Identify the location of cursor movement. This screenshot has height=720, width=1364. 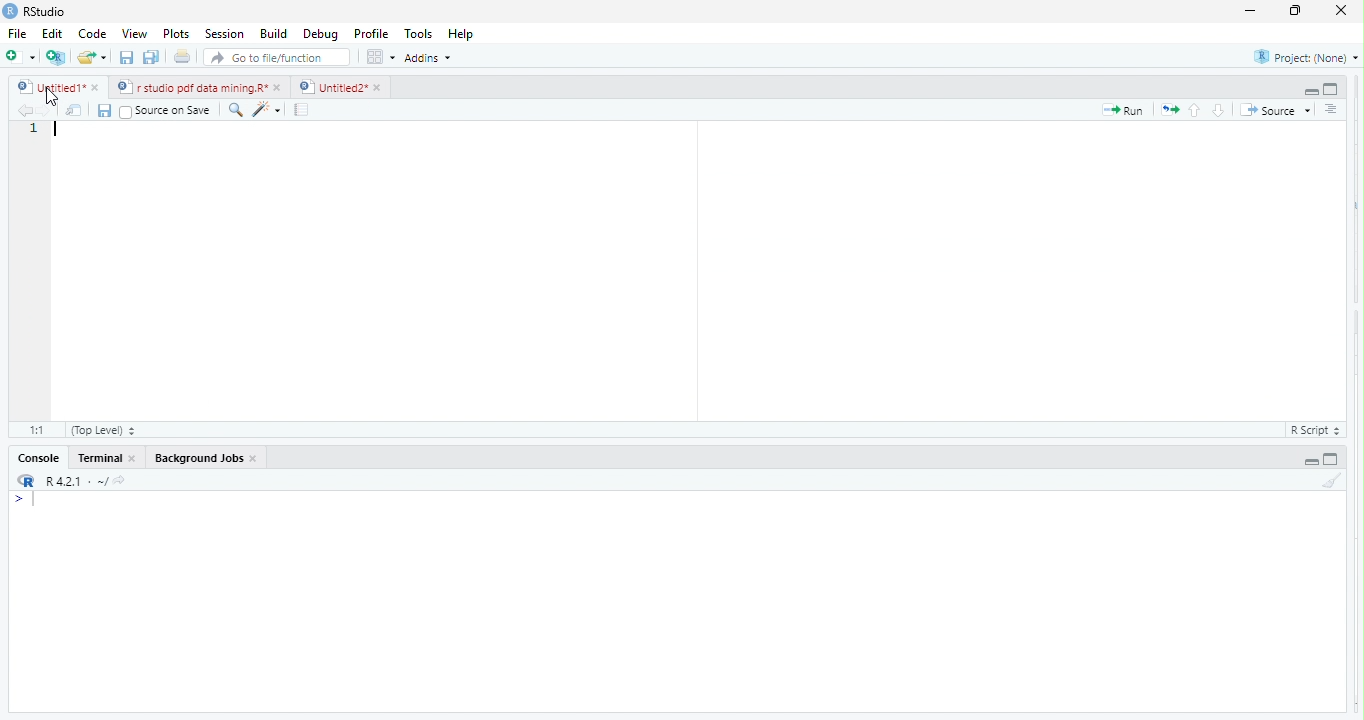
(52, 97).